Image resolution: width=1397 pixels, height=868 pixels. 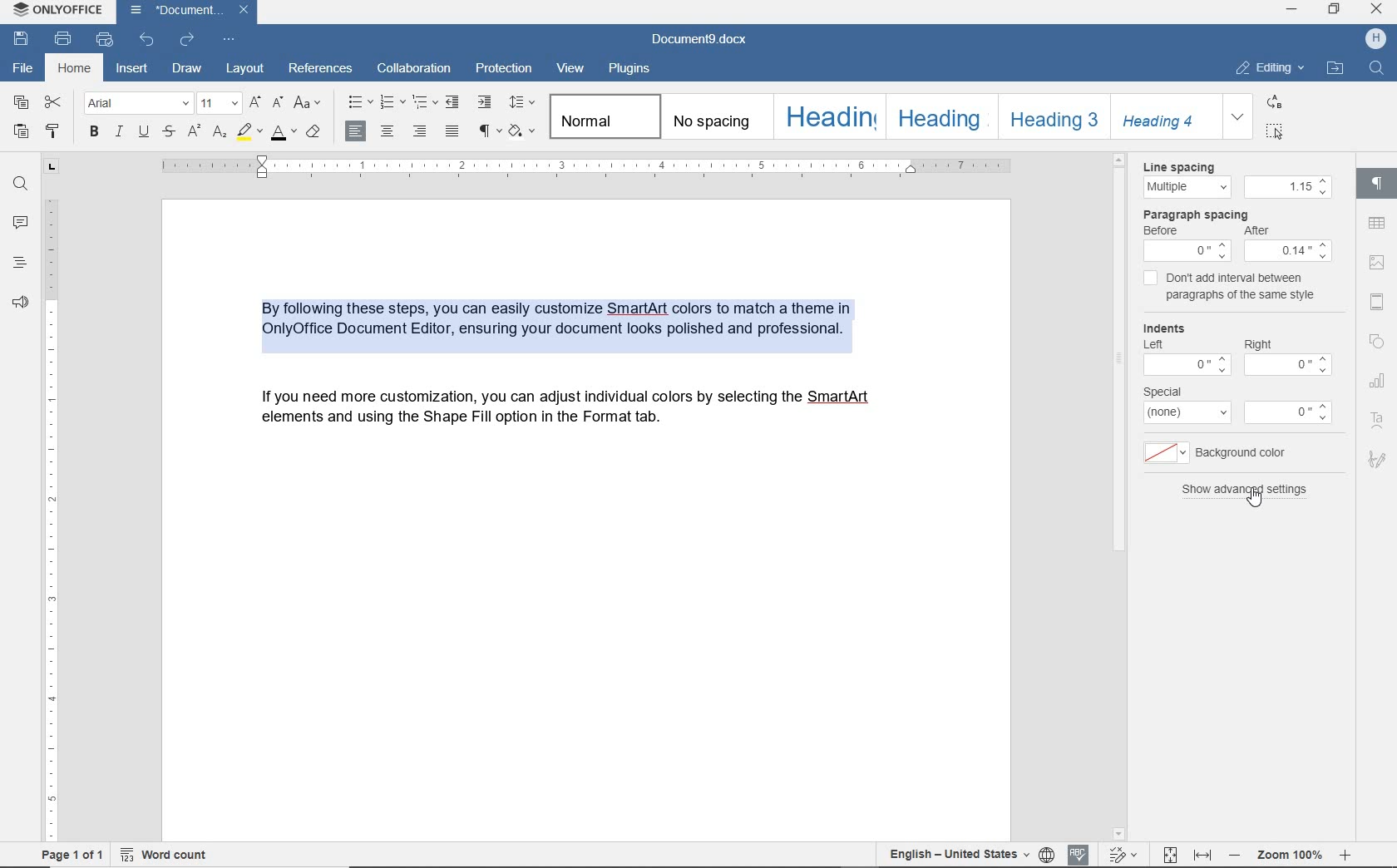 I want to click on home, so click(x=72, y=67).